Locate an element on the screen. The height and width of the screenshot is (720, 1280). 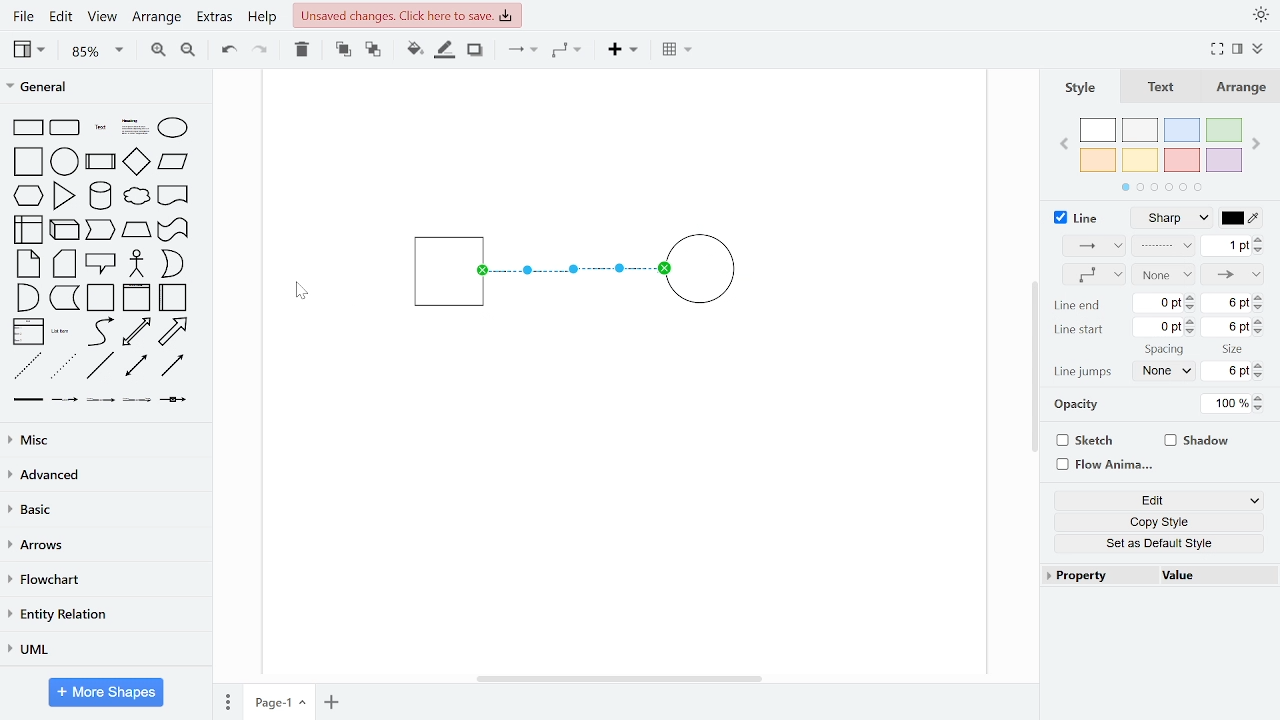
fill line is located at coordinates (444, 50).